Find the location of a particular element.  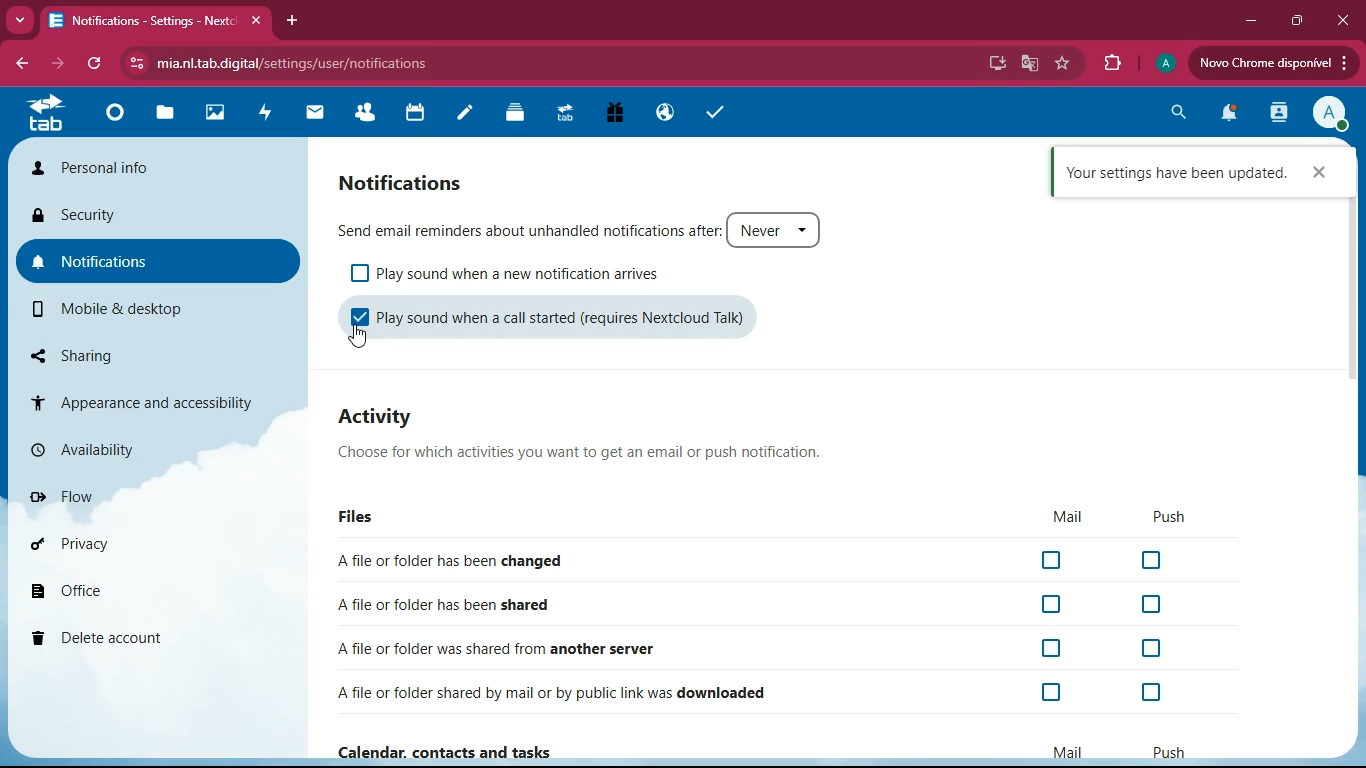

mail is located at coordinates (1066, 518).